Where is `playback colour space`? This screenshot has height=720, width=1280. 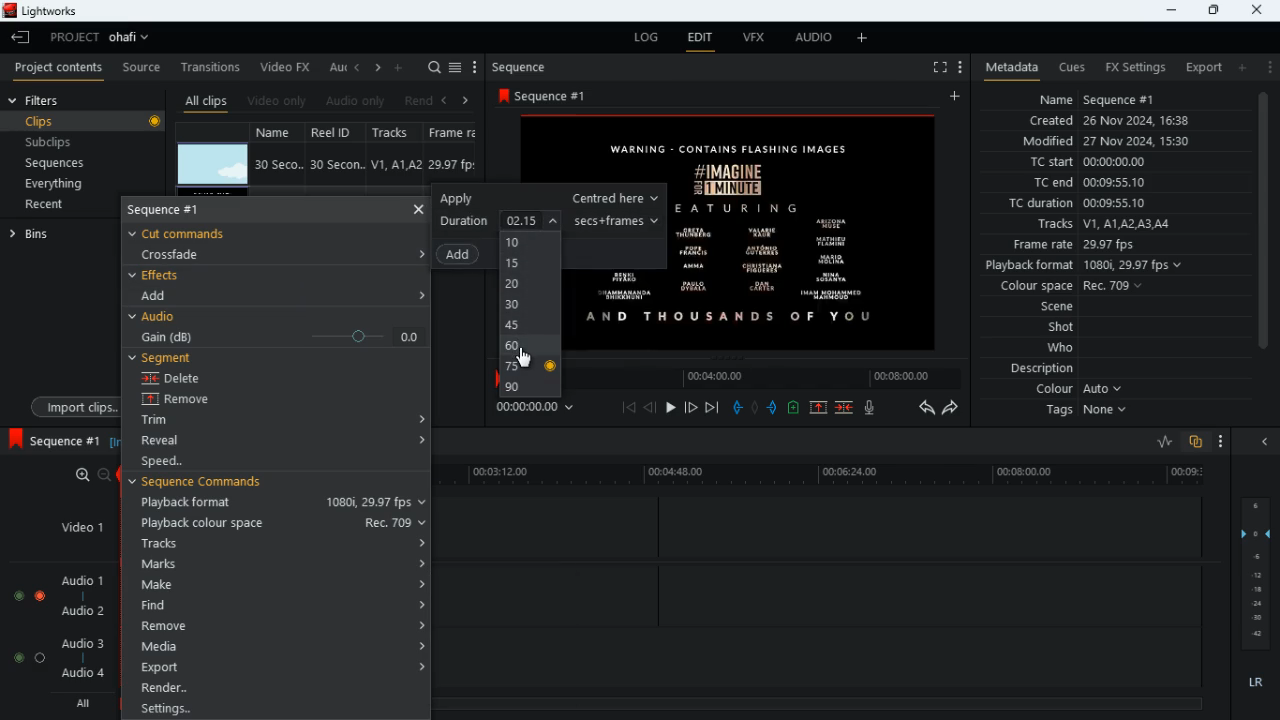 playback colour space is located at coordinates (282, 523).